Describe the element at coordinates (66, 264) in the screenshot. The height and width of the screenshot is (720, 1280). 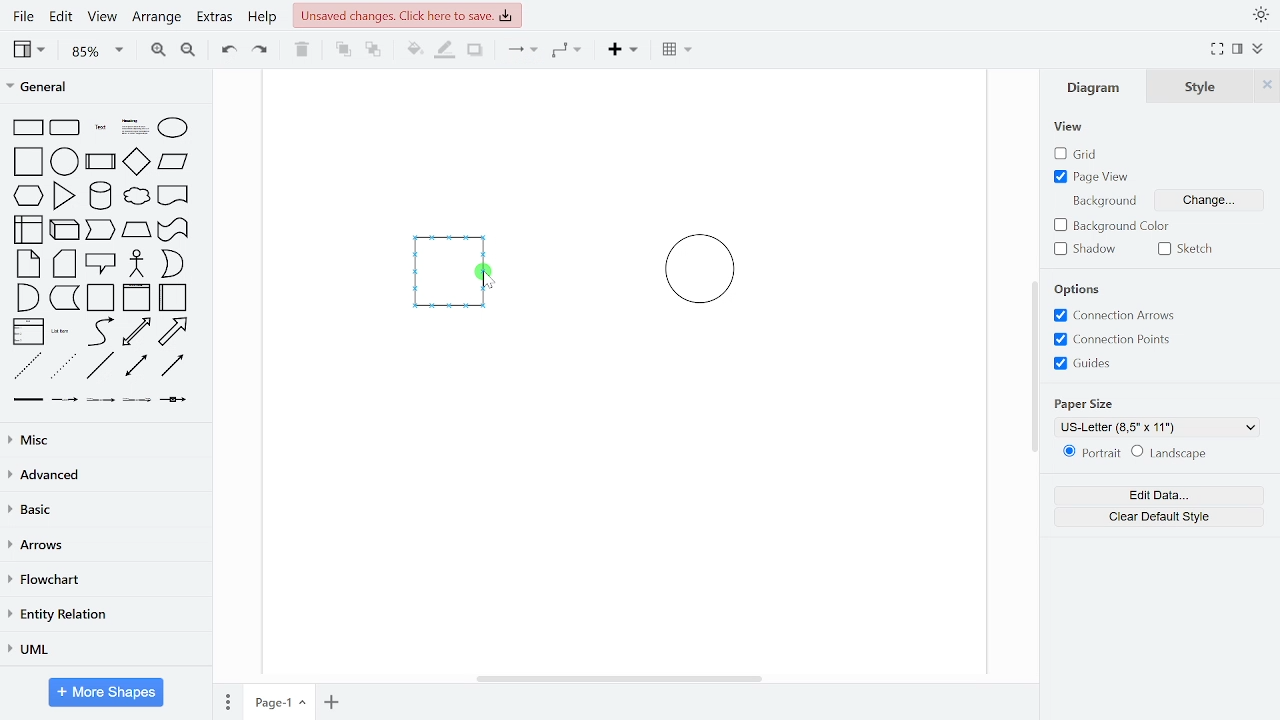
I see `card` at that location.